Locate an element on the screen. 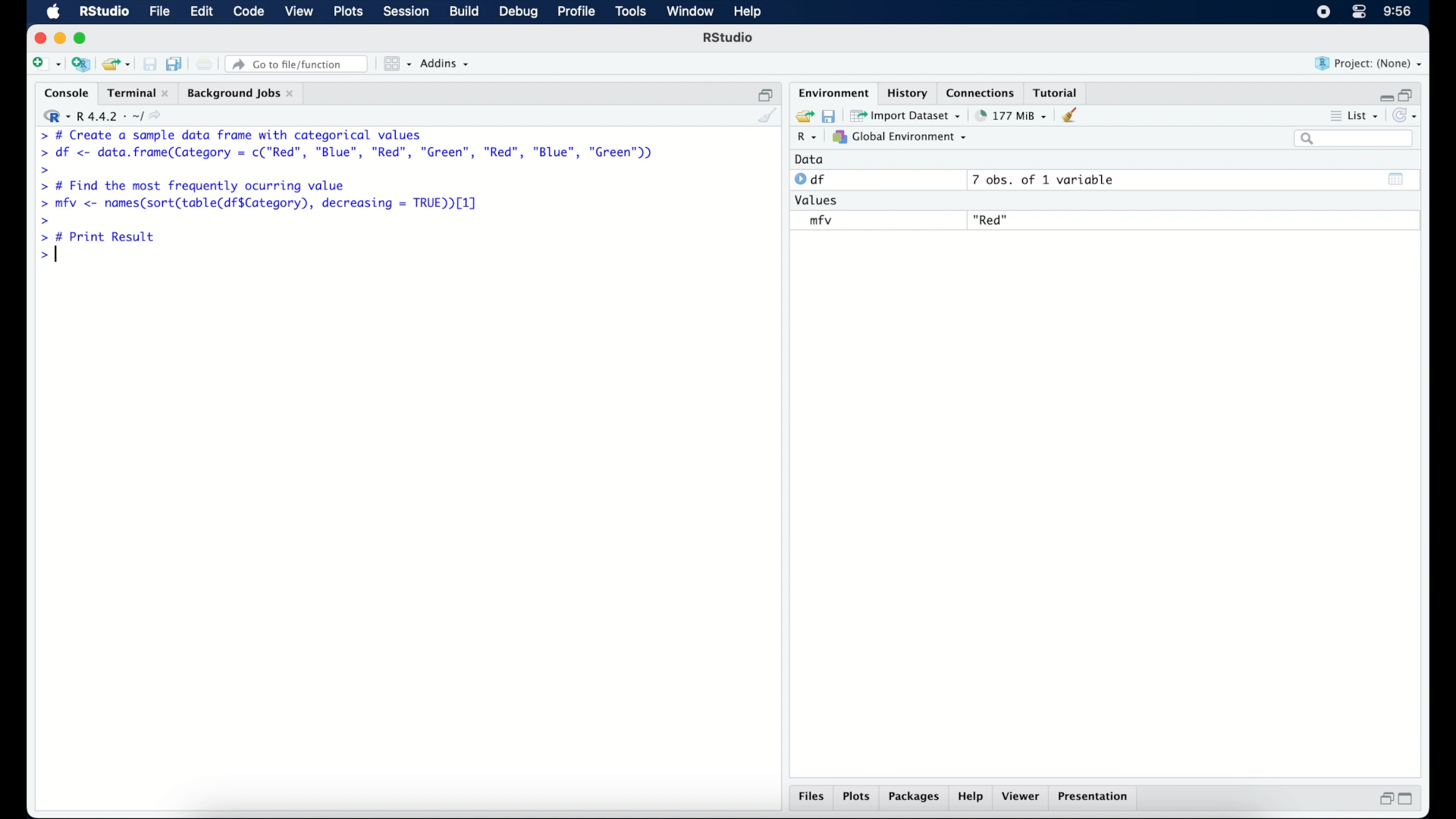  Go to file/ function is located at coordinates (300, 63).